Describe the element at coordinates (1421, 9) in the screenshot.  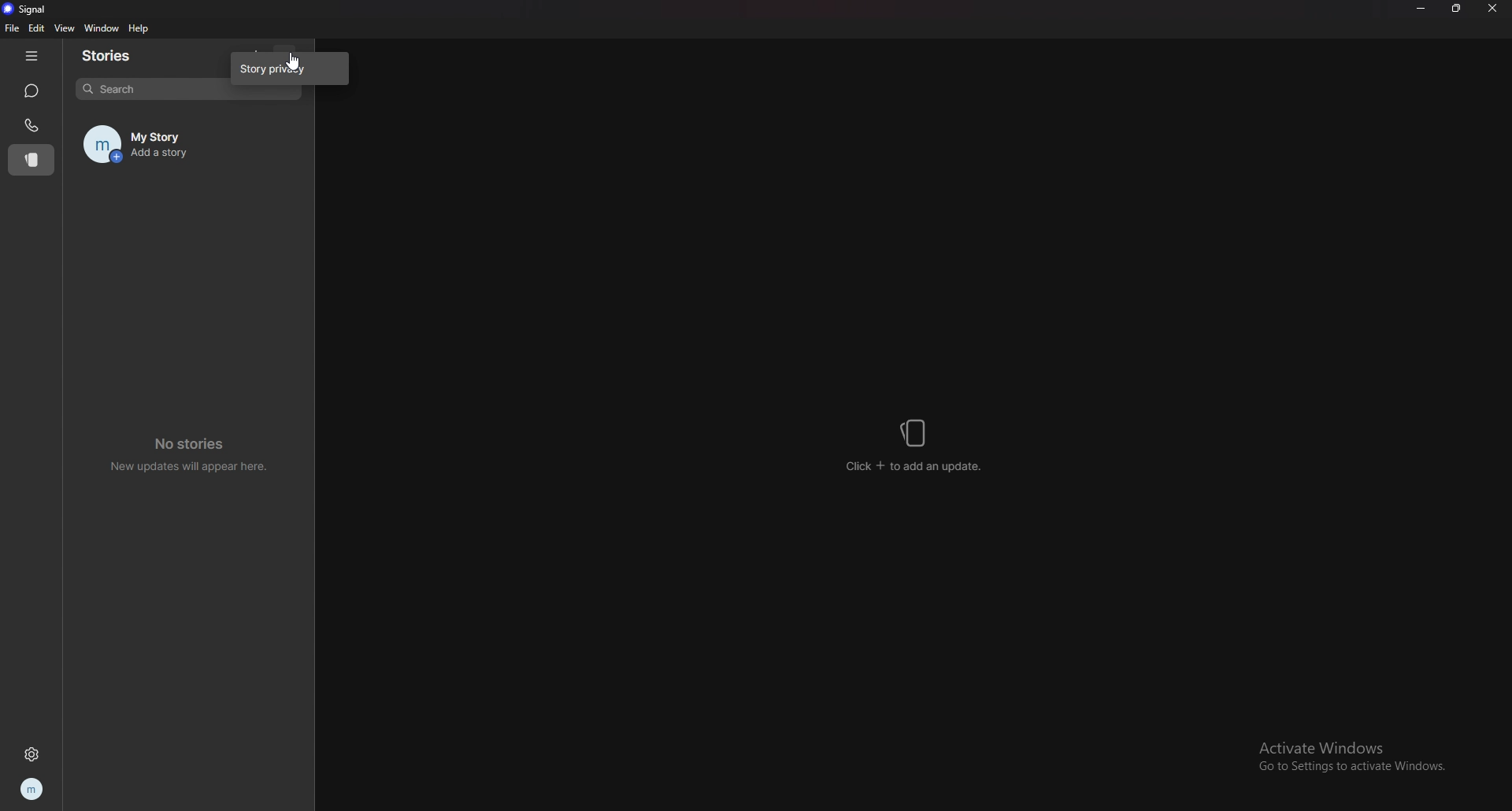
I see `minimize` at that location.